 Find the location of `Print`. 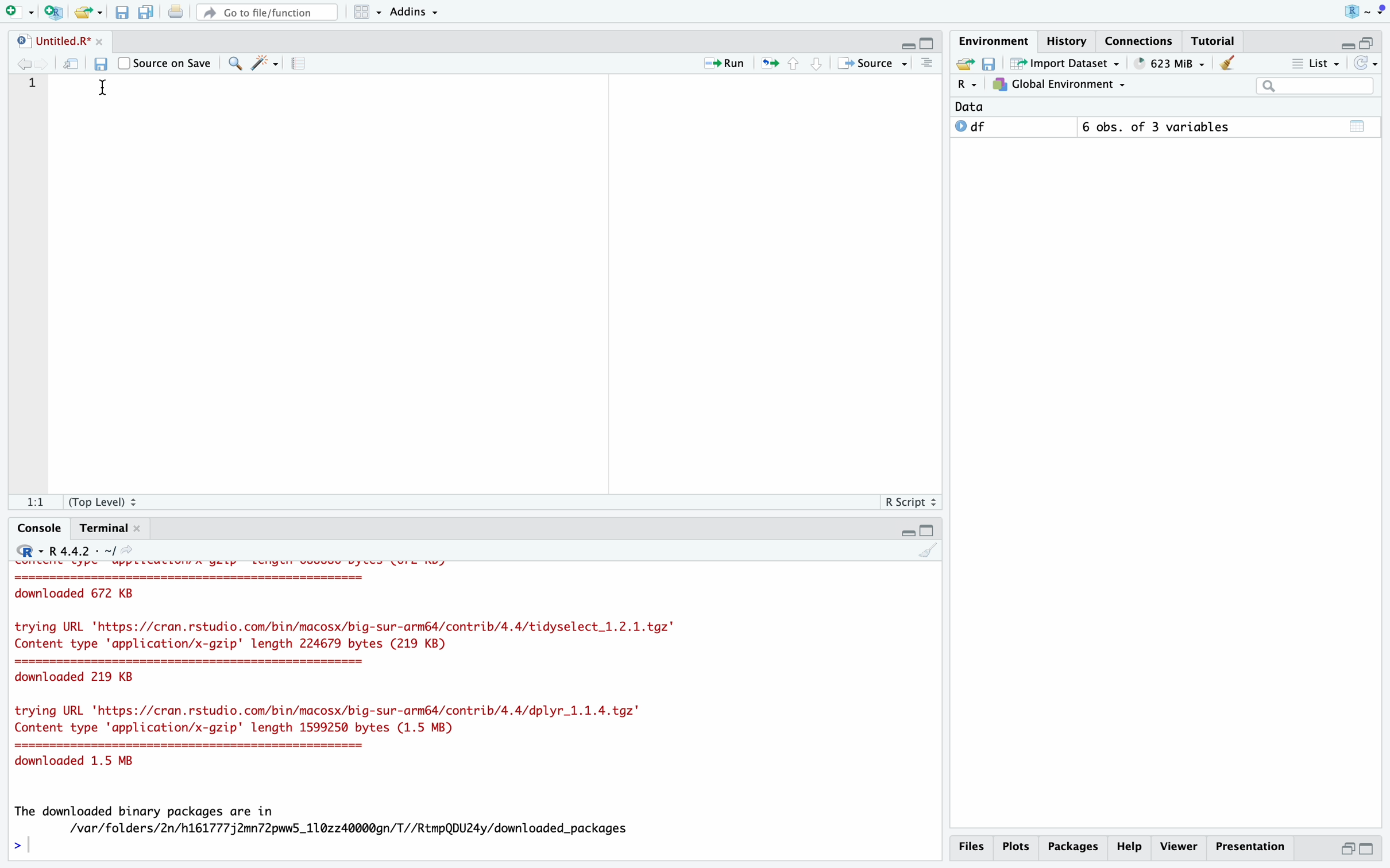

Print is located at coordinates (176, 11).